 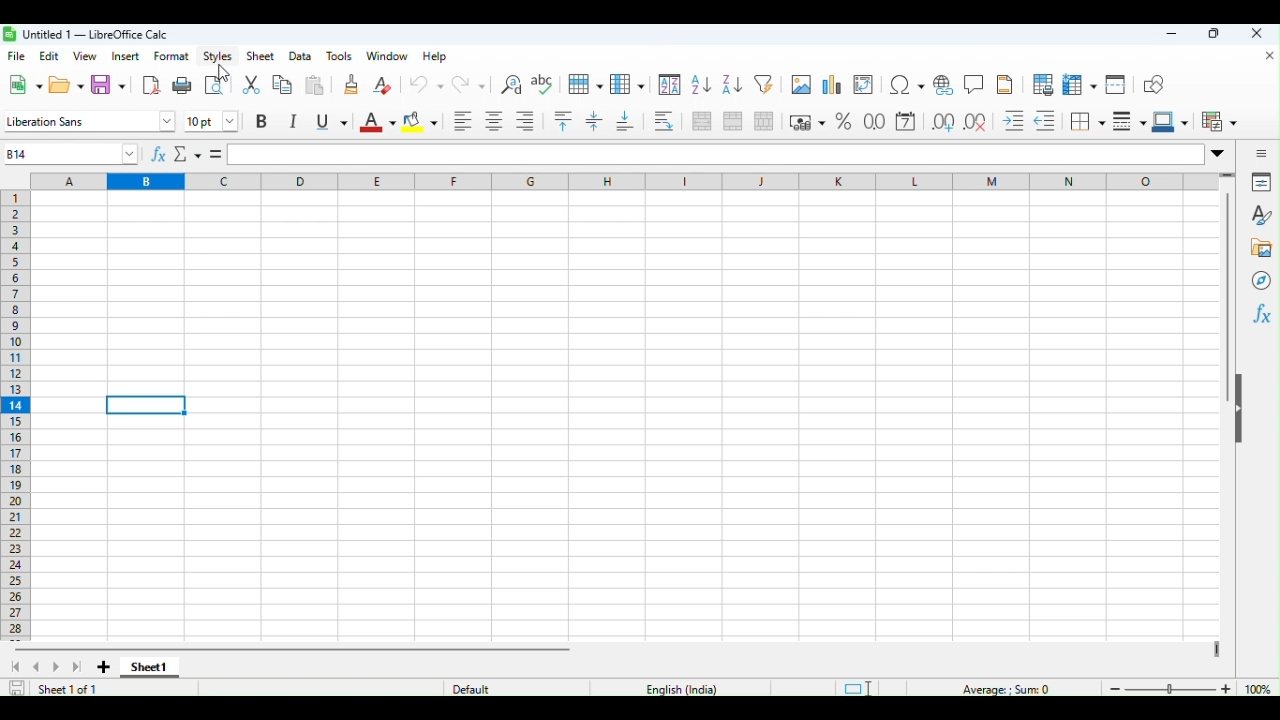 I want to click on save, so click(x=14, y=689).